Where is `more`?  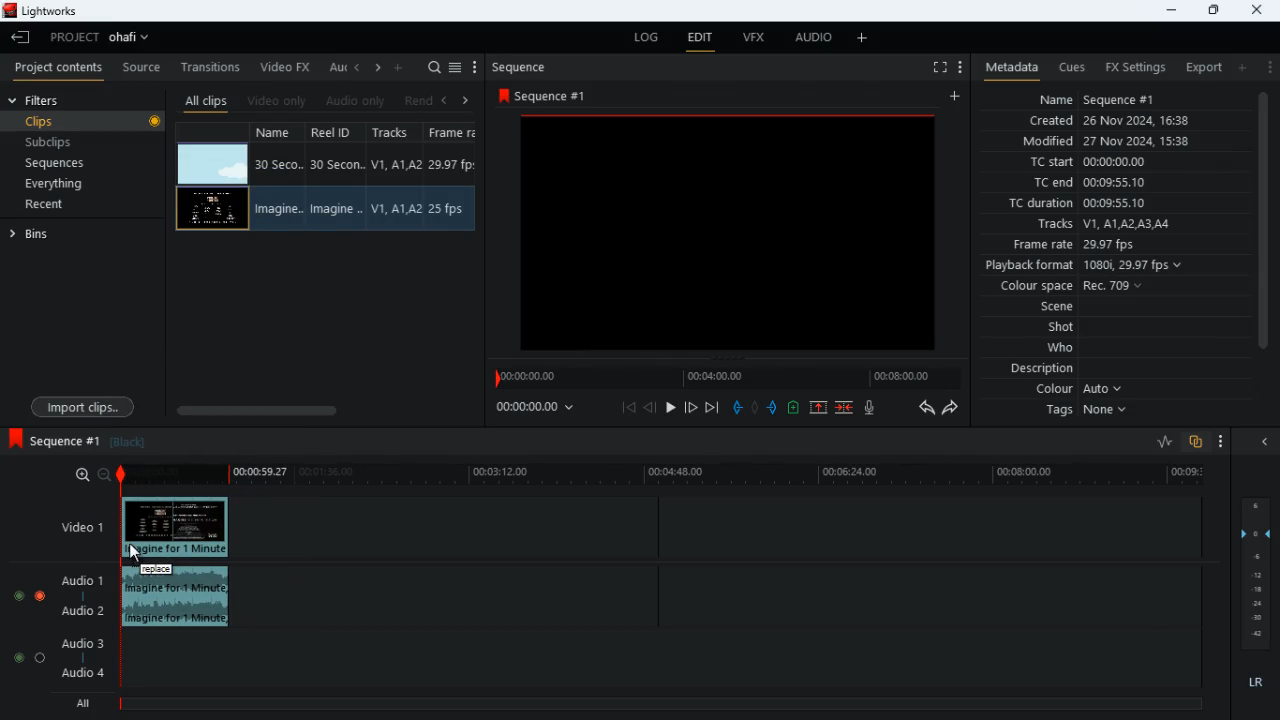 more is located at coordinates (478, 66).